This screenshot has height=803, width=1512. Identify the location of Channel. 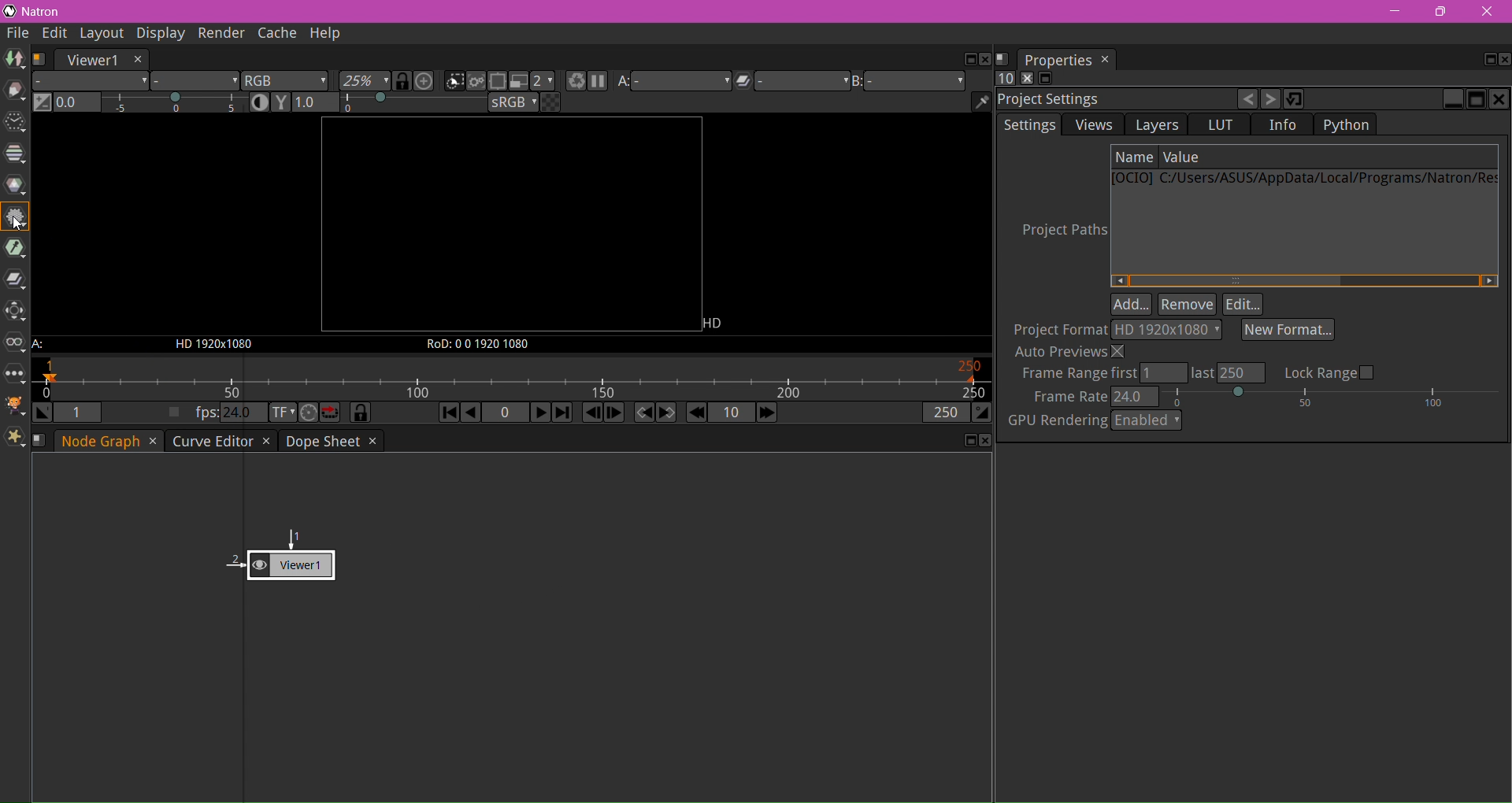
(15, 154).